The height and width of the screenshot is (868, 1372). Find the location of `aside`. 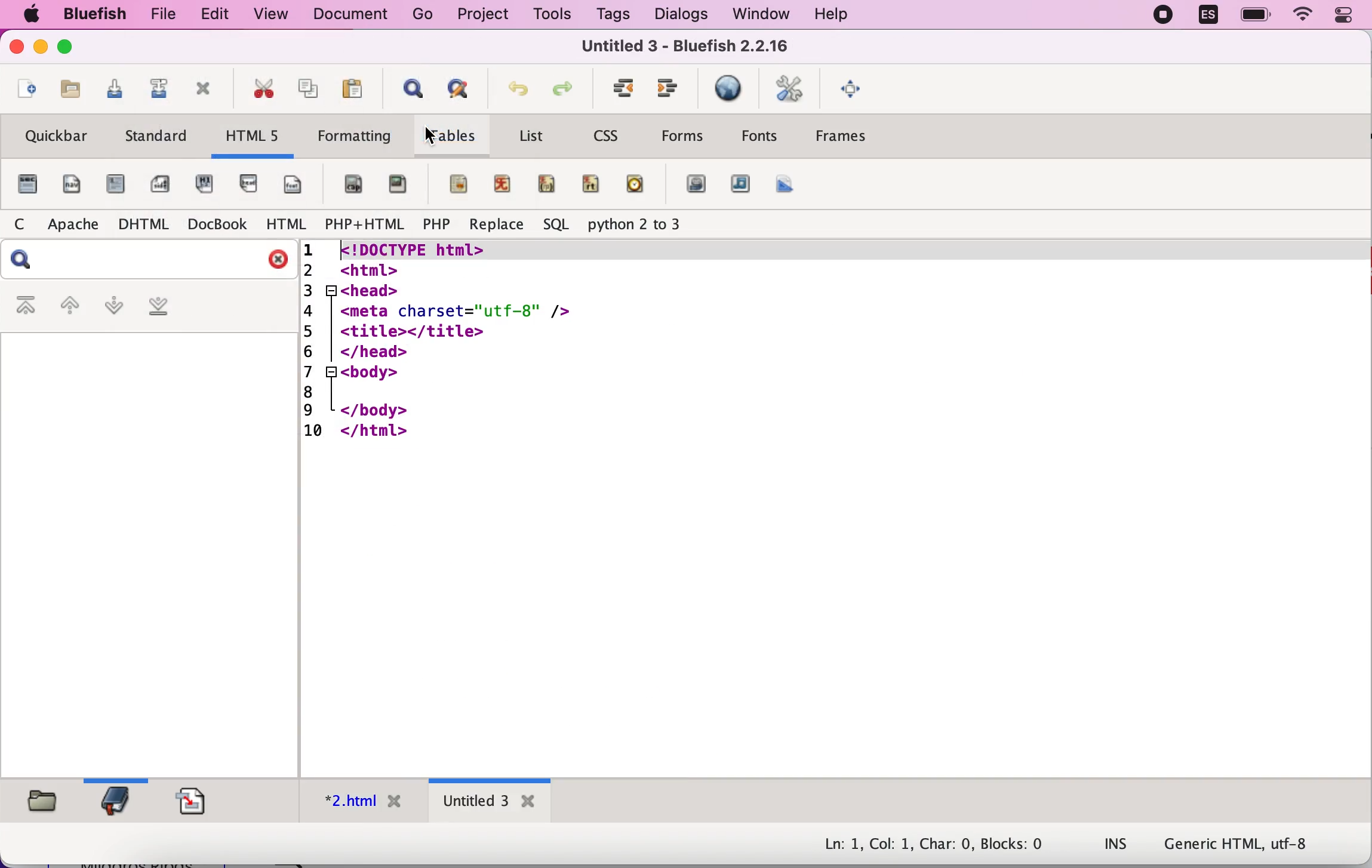

aside is located at coordinates (156, 184).